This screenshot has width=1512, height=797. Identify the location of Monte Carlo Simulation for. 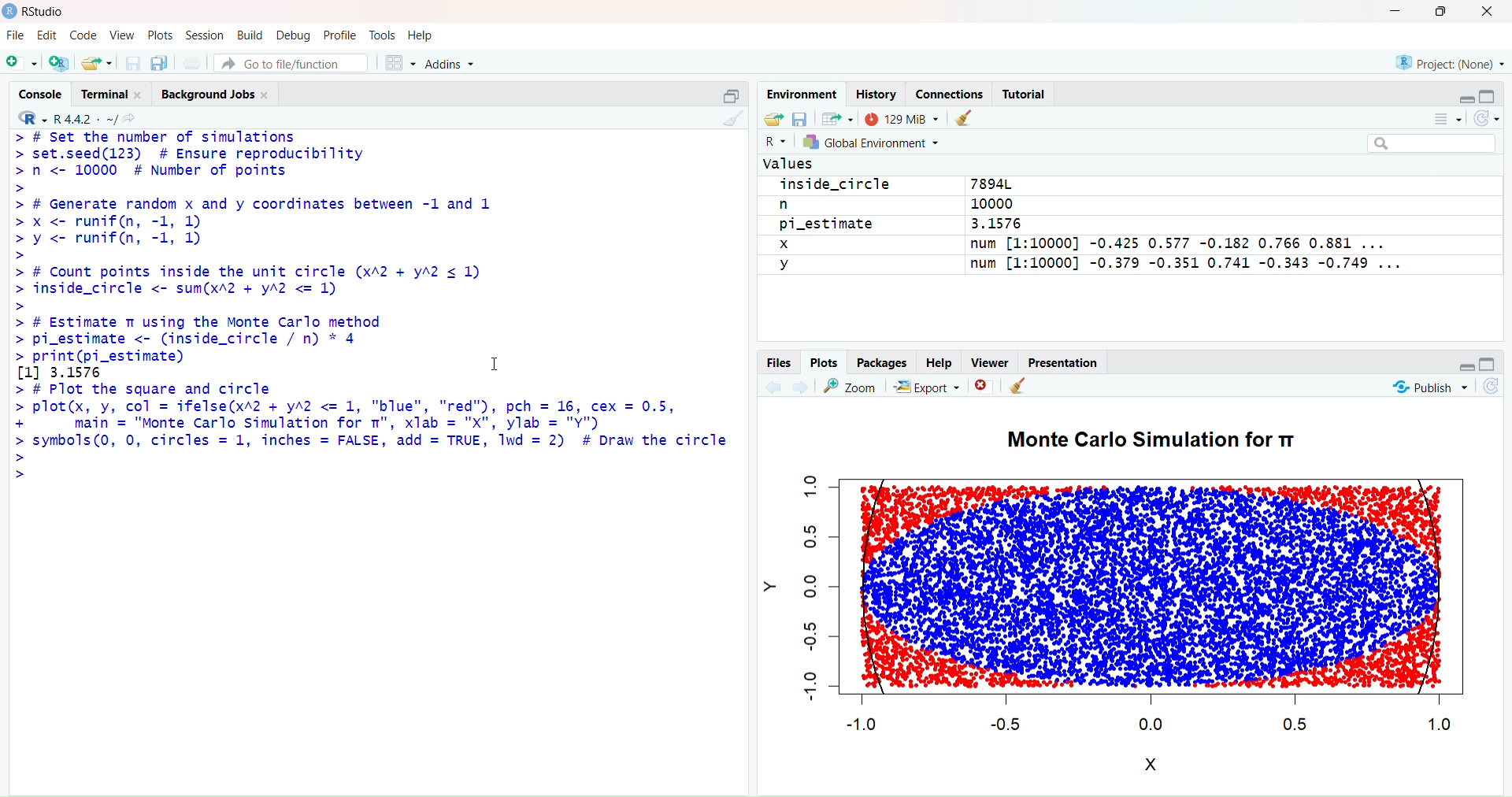
(1157, 439).